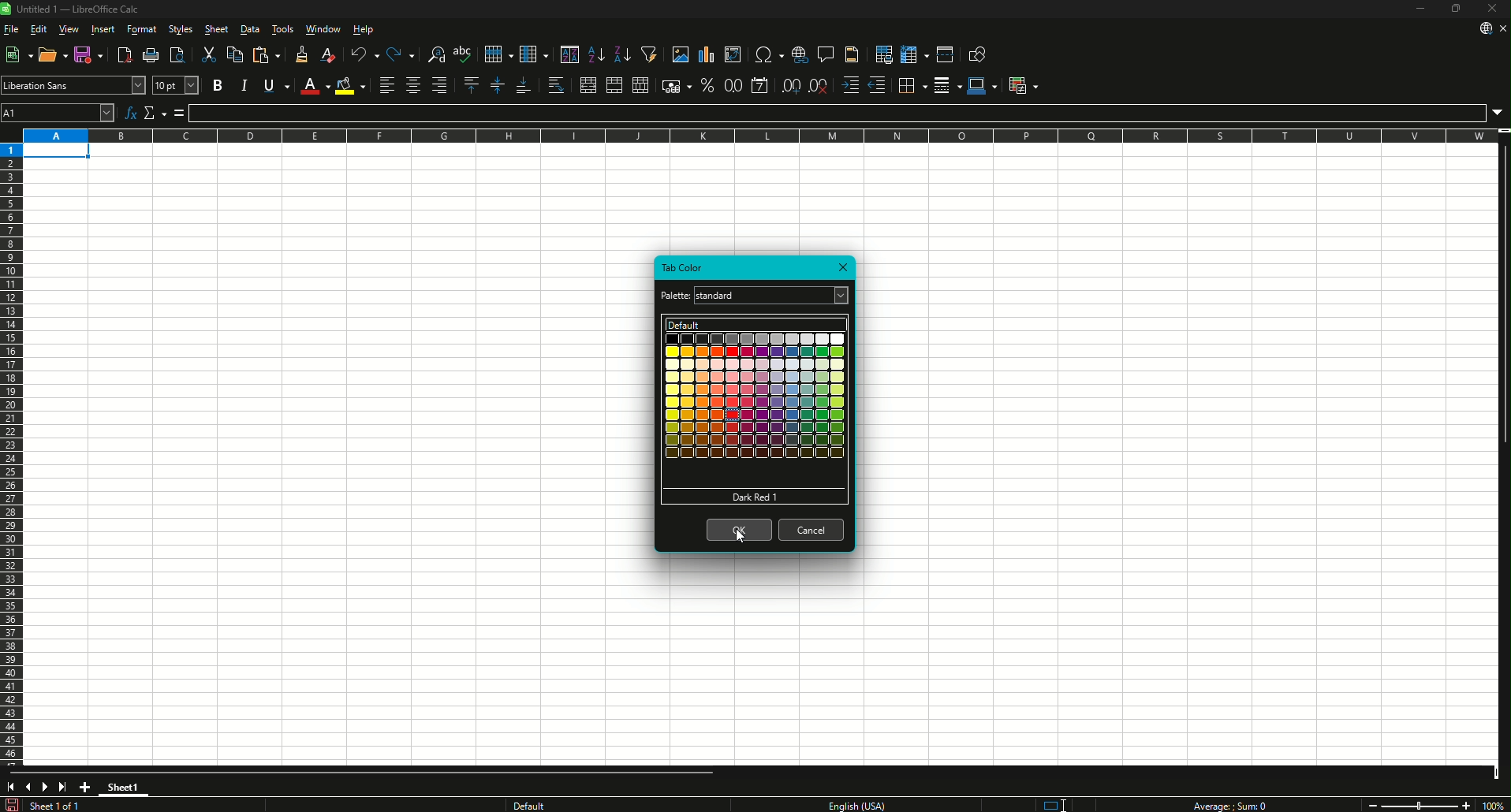 Image resolution: width=1511 pixels, height=812 pixels. Describe the element at coordinates (761, 296) in the screenshot. I see `Current palette` at that location.